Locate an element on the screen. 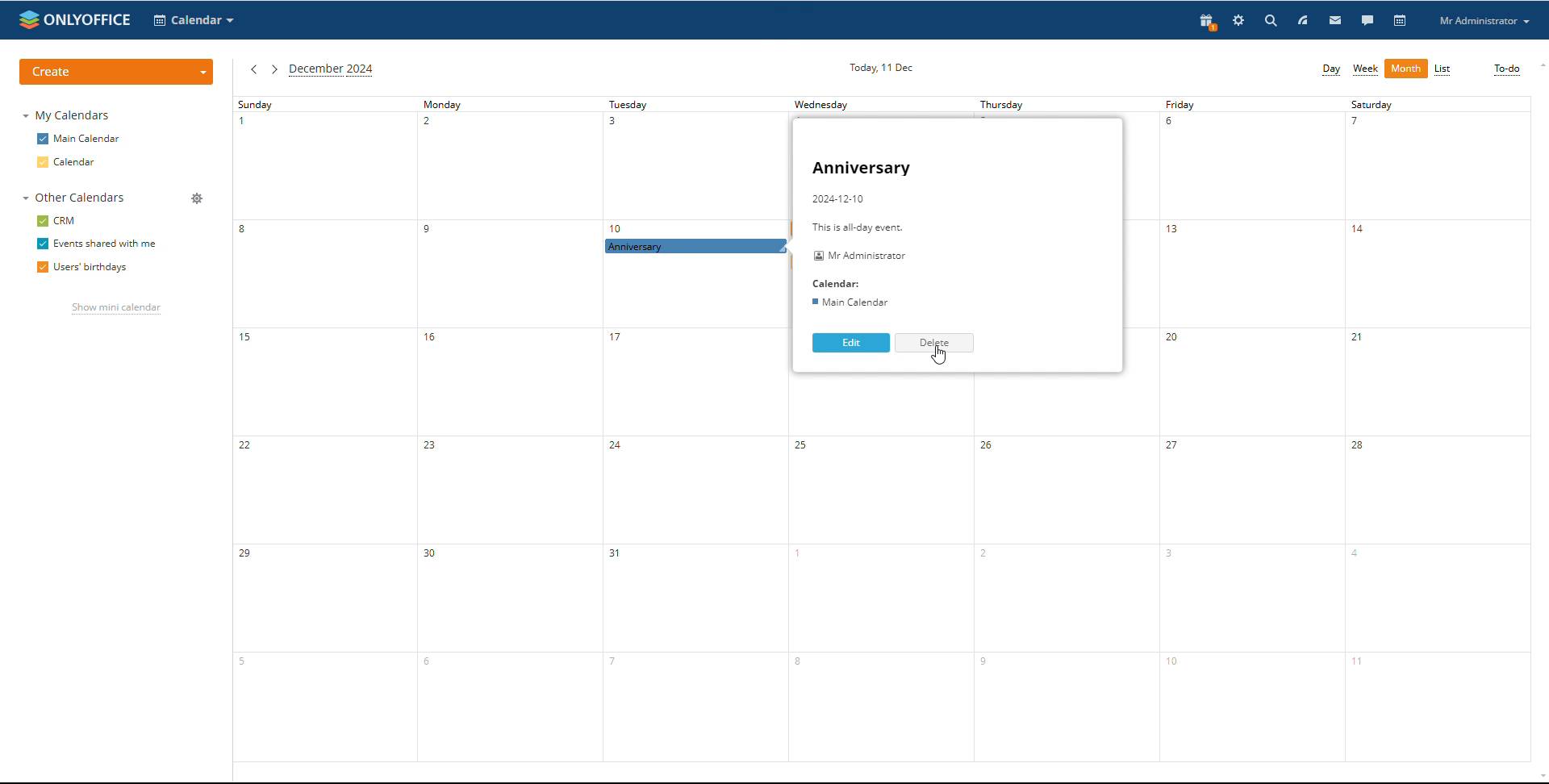 This screenshot has height=784, width=1549. current date is located at coordinates (880, 68).